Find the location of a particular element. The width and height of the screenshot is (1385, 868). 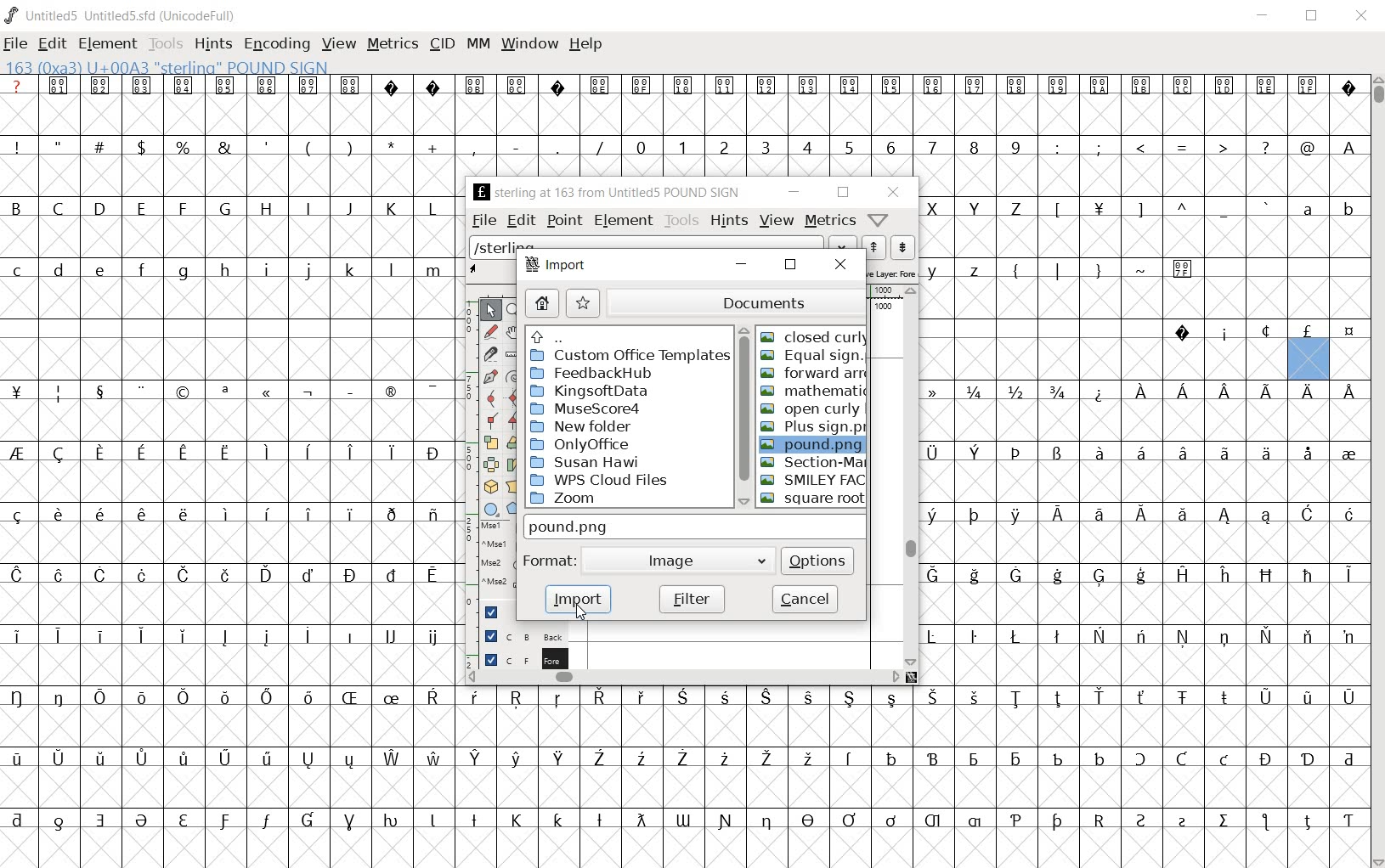

. is located at coordinates (557, 146).